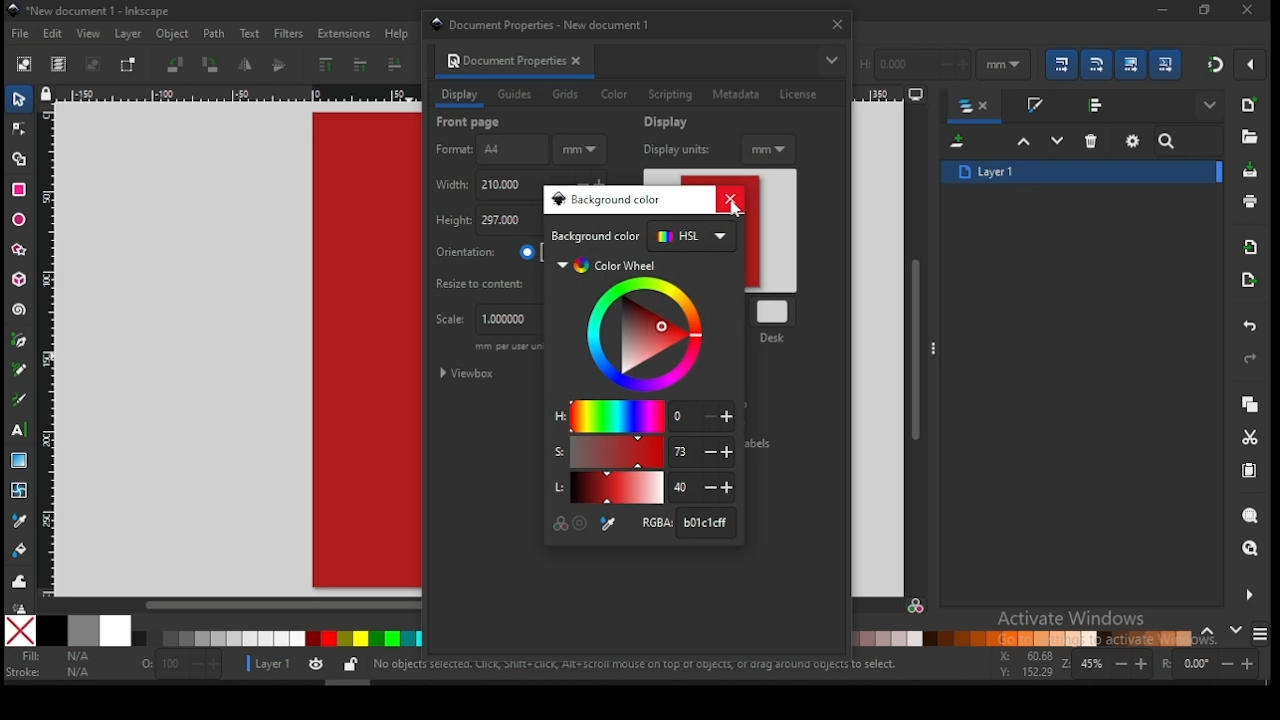 This screenshot has height=720, width=1280. Describe the element at coordinates (831, 60) in the screenshot. I see `more options` at that location.